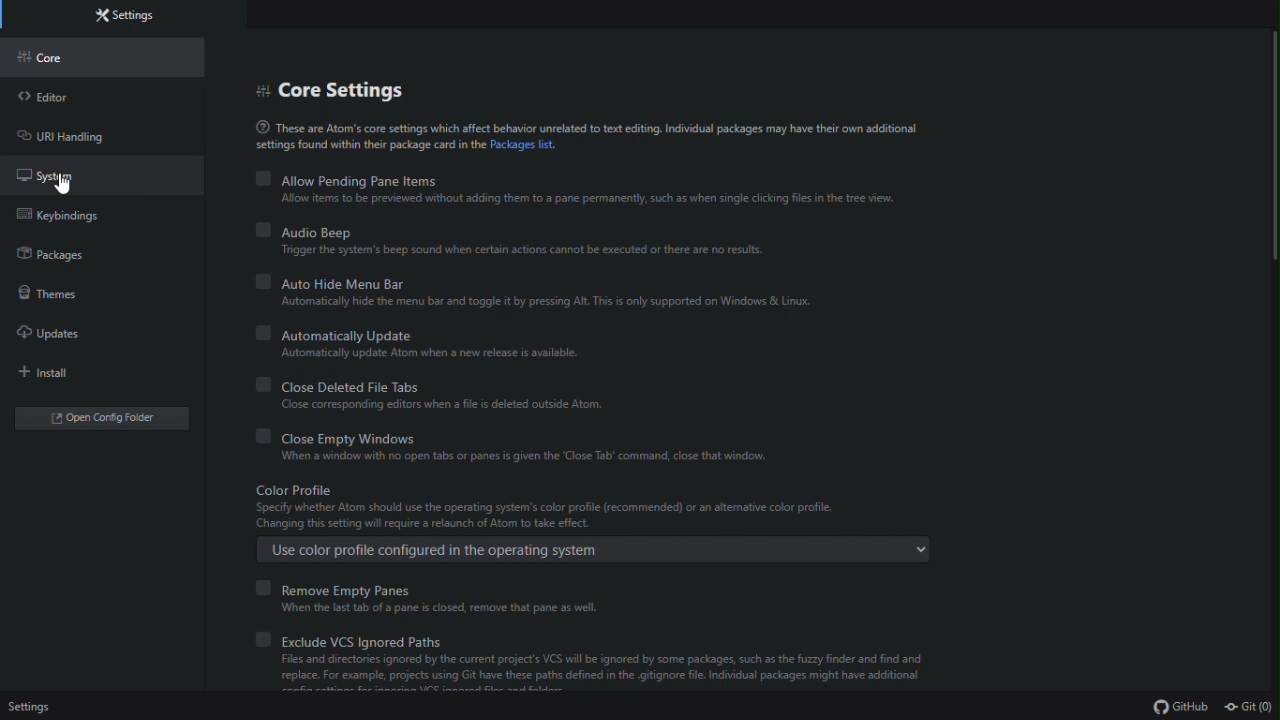  Describe the element at coordinates (617, 677) in the screenshot. I see `[Files and directories ignored by the current project's VCS wil be ignored by some packages, such as the fuzzy finder and find and
replace. For example, projects using Git have these path defined nthe gitignore fle. Indidual packages might have addtional` at that location.